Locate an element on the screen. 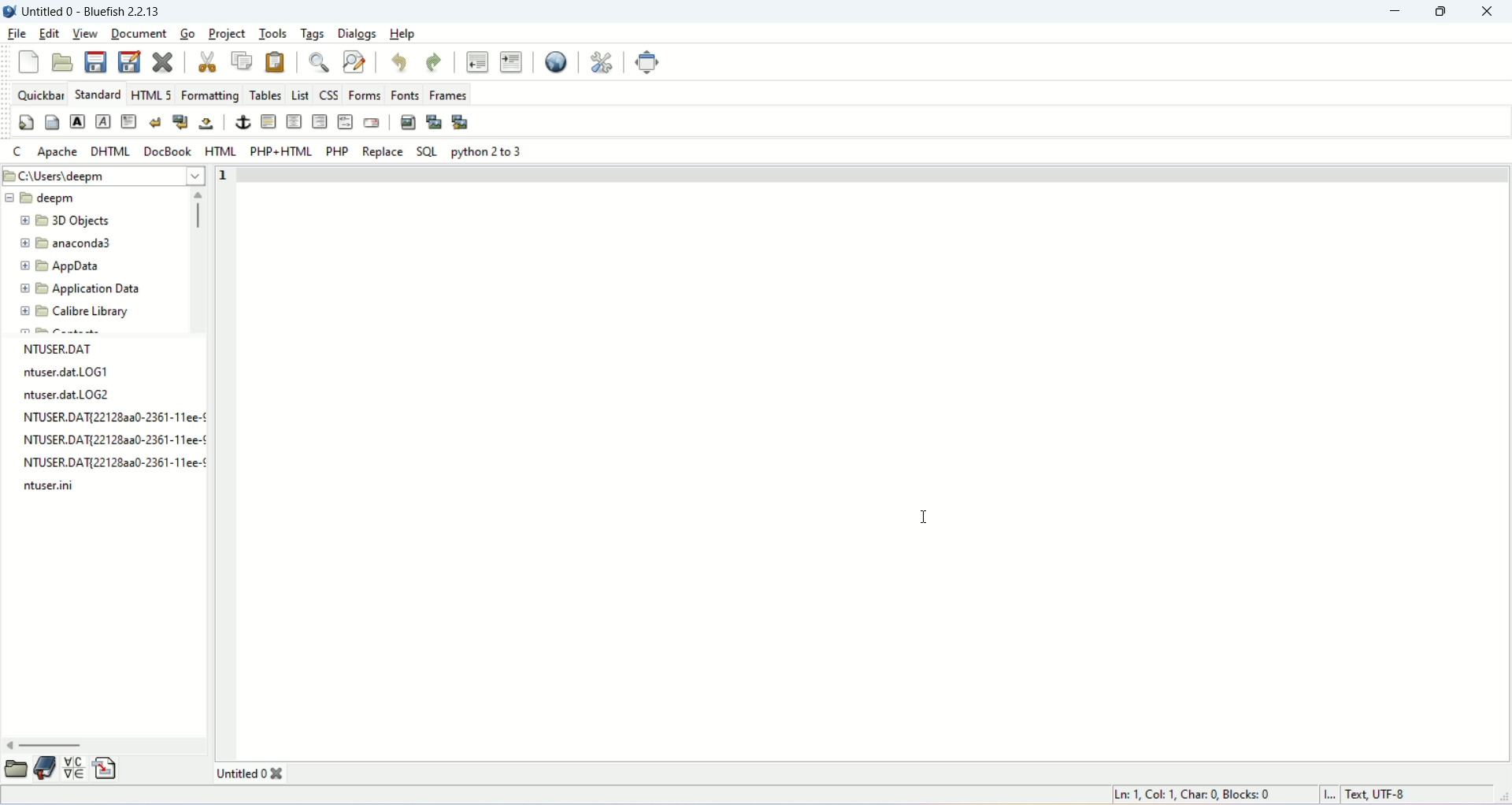 The width and height of the screenshot is (1512, 805). title is located at coordinates (91, 9).